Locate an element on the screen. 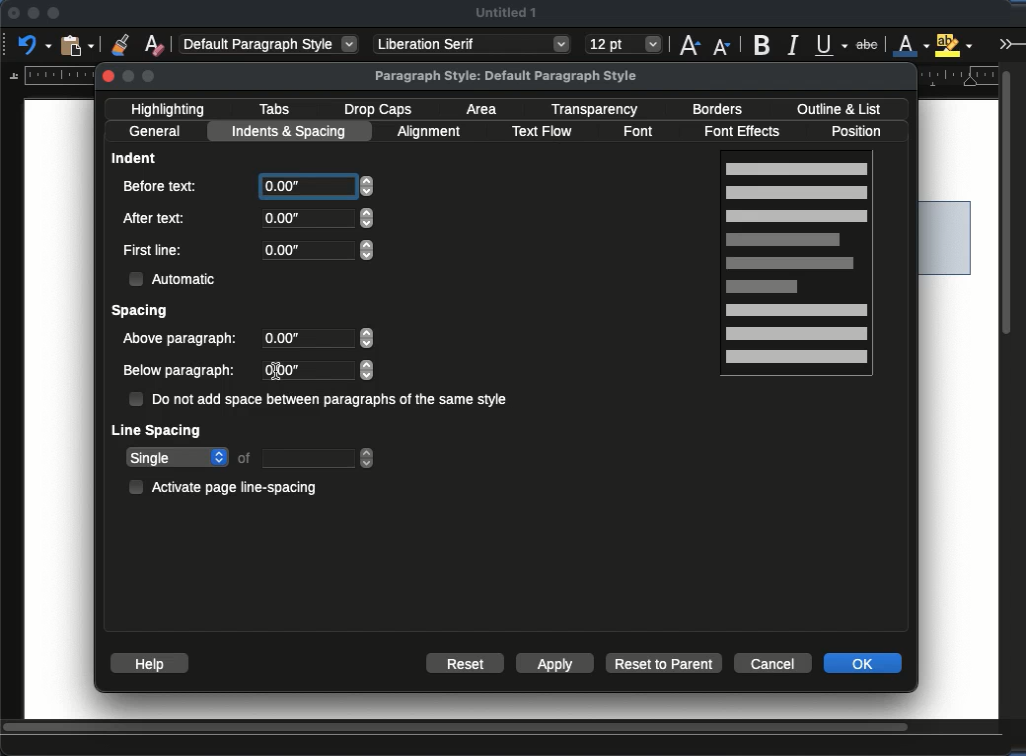 The width and height of the screenshot is (1026, 756). drop caps is located at coordinates (378, 111).